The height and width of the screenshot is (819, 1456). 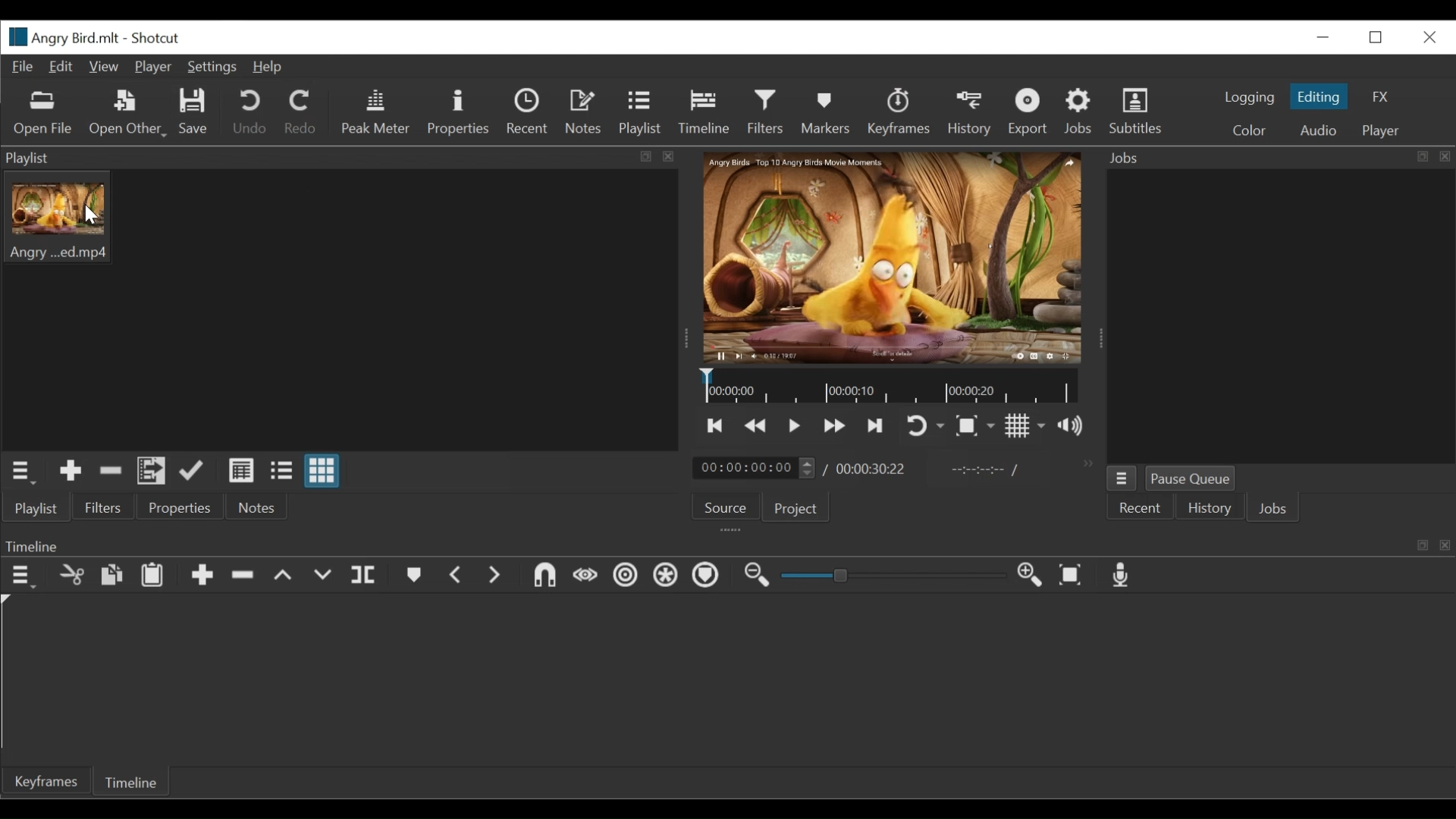 I want to click on Record audio, so click(x=1125, y=576).